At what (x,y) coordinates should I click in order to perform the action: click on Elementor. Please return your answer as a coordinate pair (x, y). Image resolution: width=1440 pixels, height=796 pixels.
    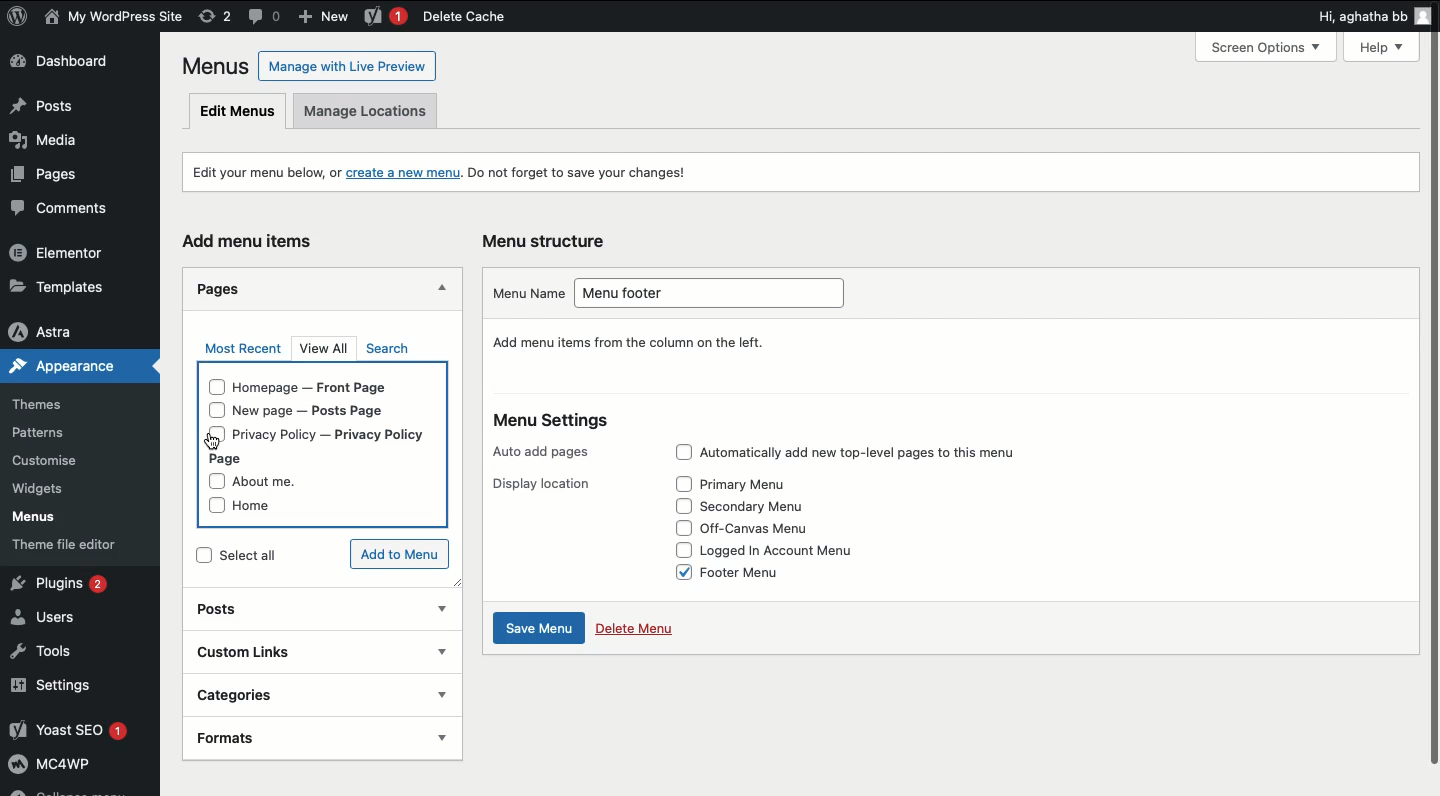
    Looking at the image, I should click on (68, 254).